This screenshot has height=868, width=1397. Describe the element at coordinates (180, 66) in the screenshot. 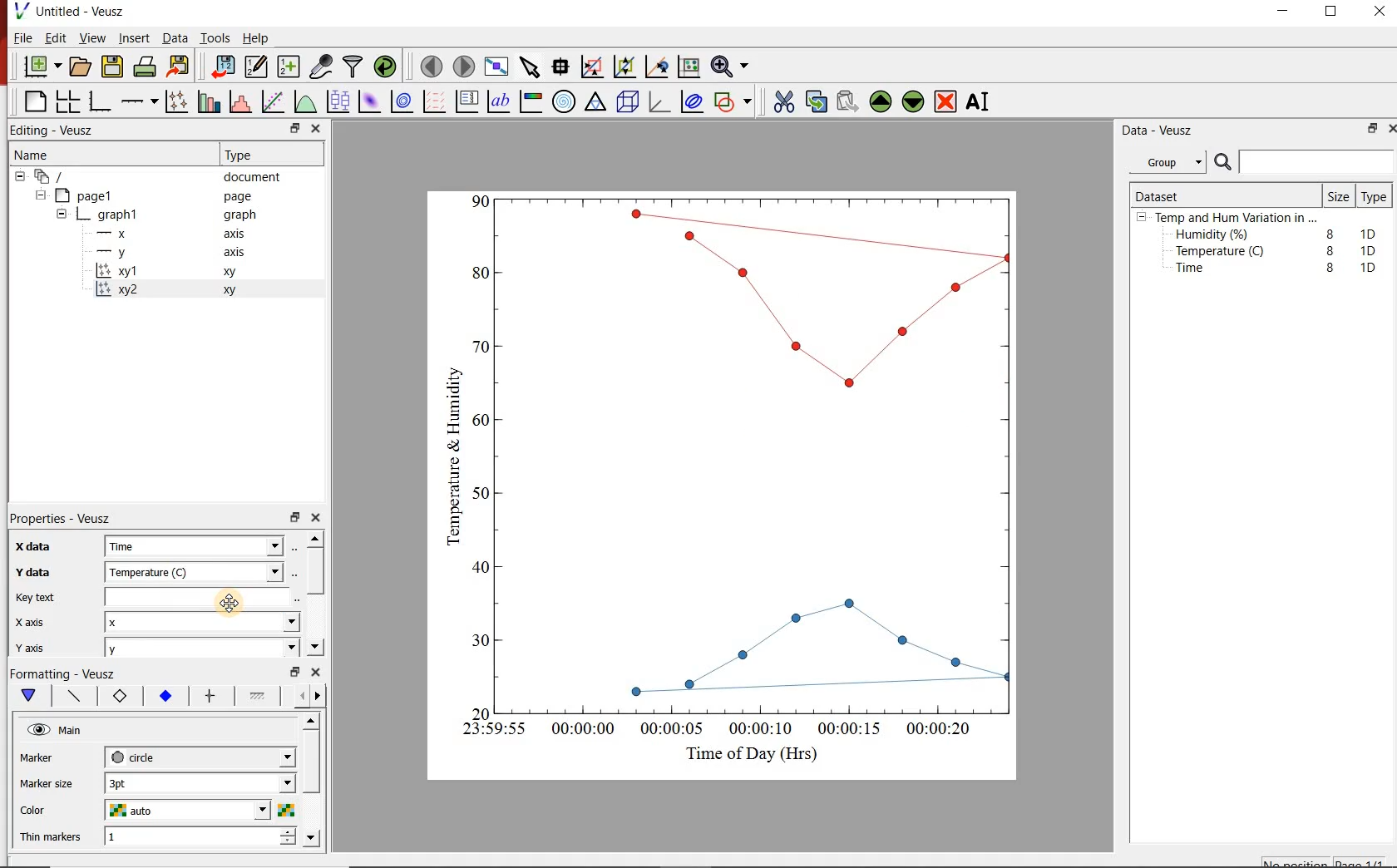

I see `Export to graphics format` at that location.